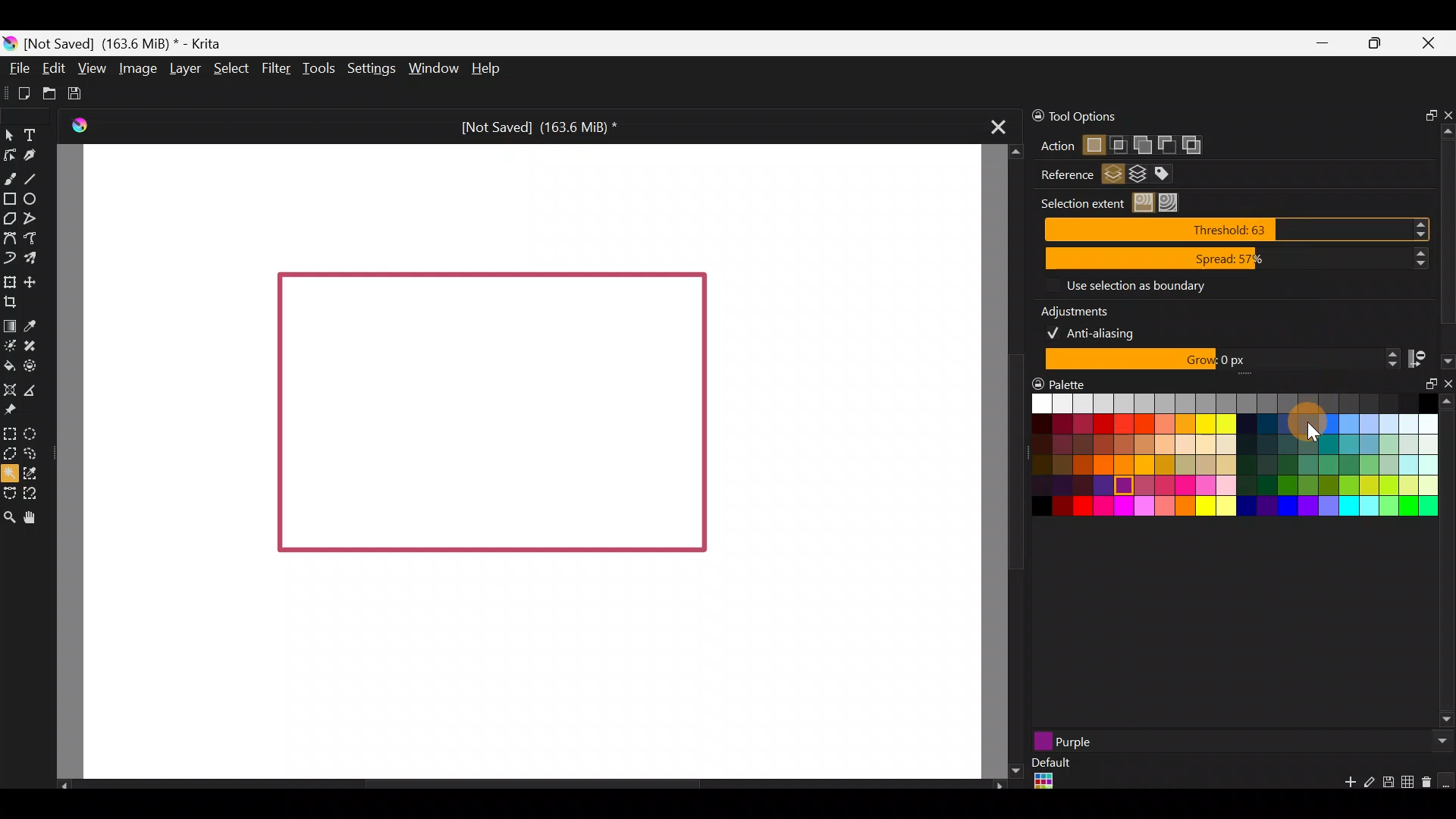  What do you see at coordinates (36, 198) in the screenshot?
I see `Ellipse tool` at bounding box center [36, 198].